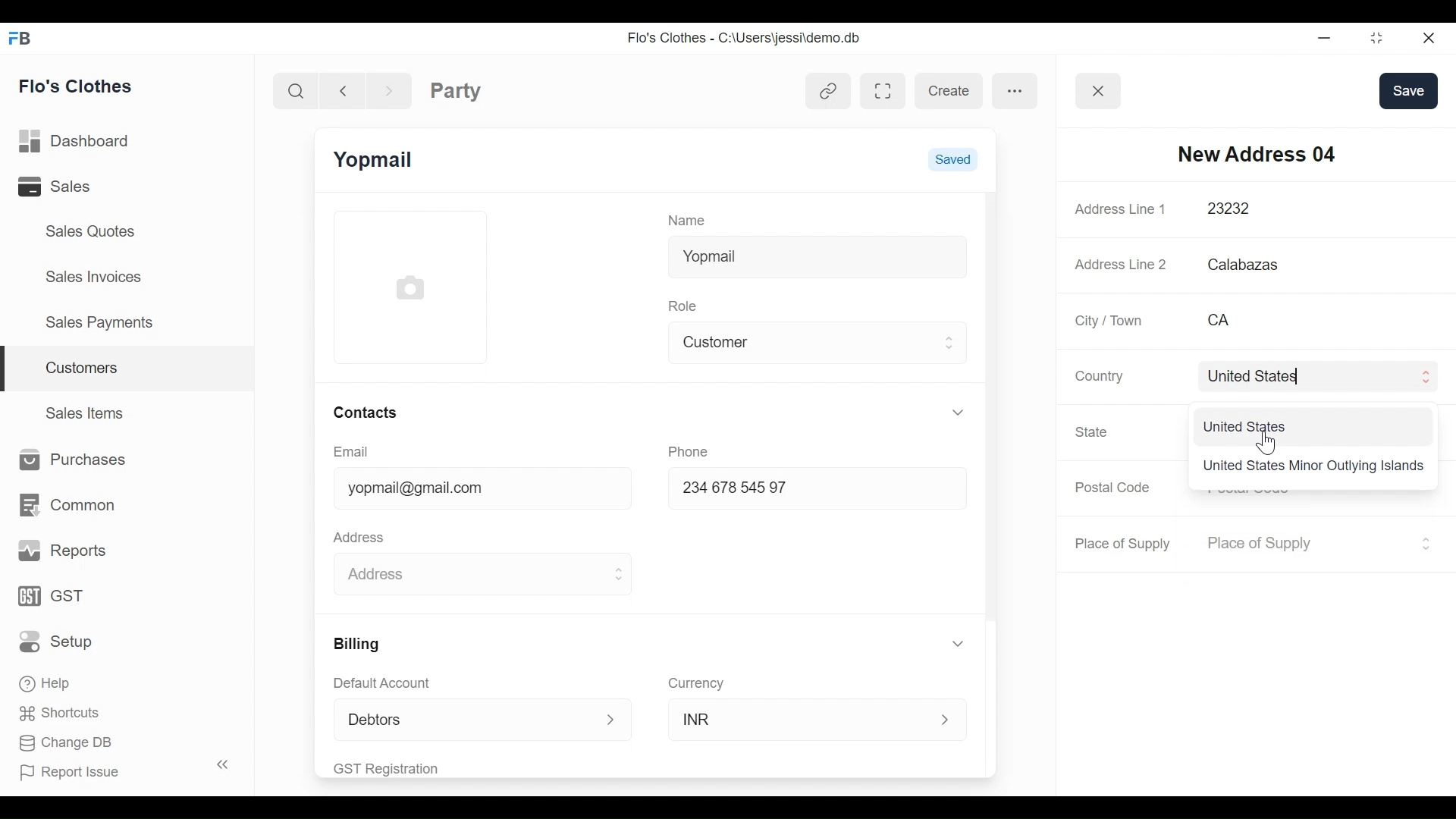 The width and height of the screenshot is (1456, 819). What do you see at coordinates (947, 720) in the screenshot?
I see `Expand` at bounding box center [947, 720].